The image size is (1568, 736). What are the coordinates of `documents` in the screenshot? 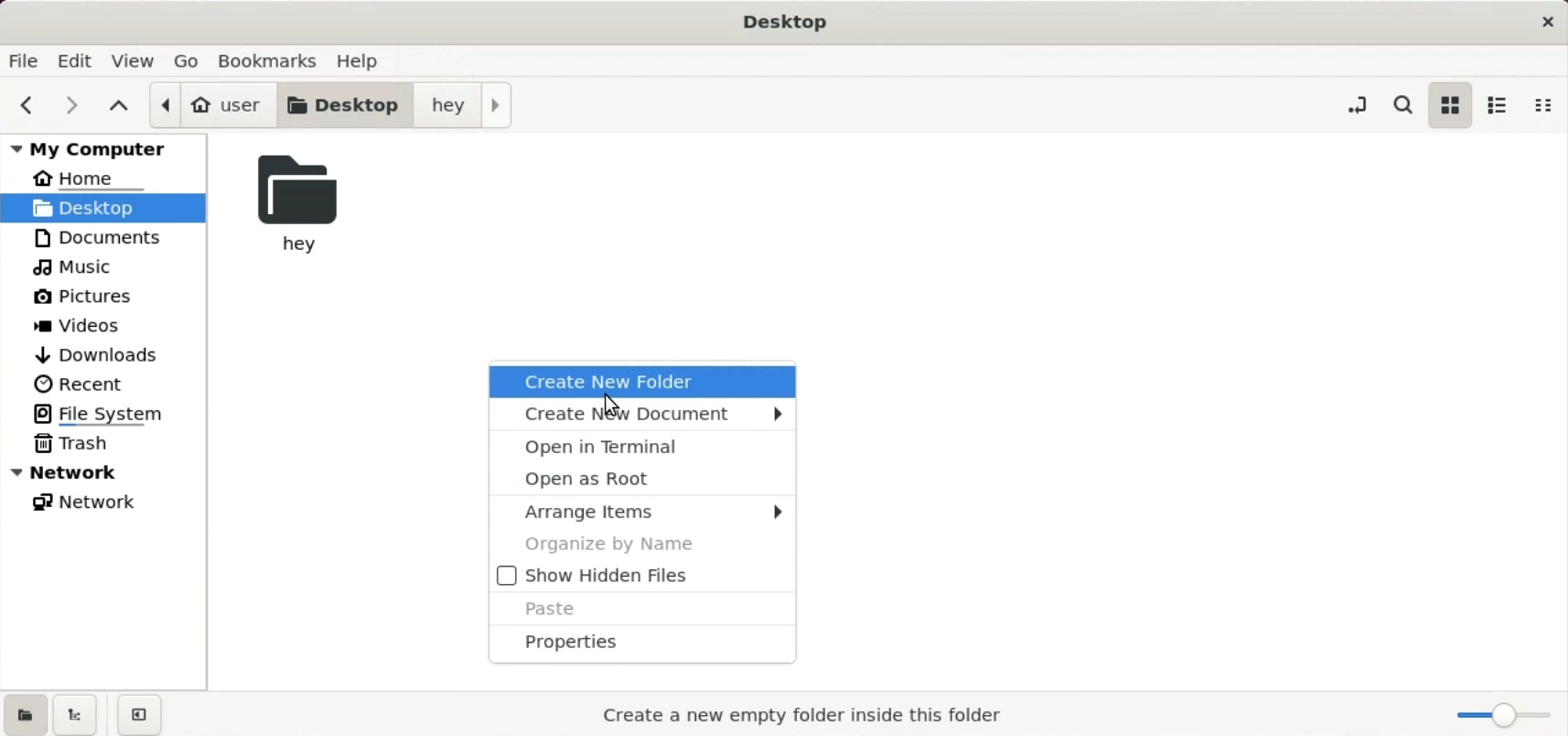 It's located at (100, 239).